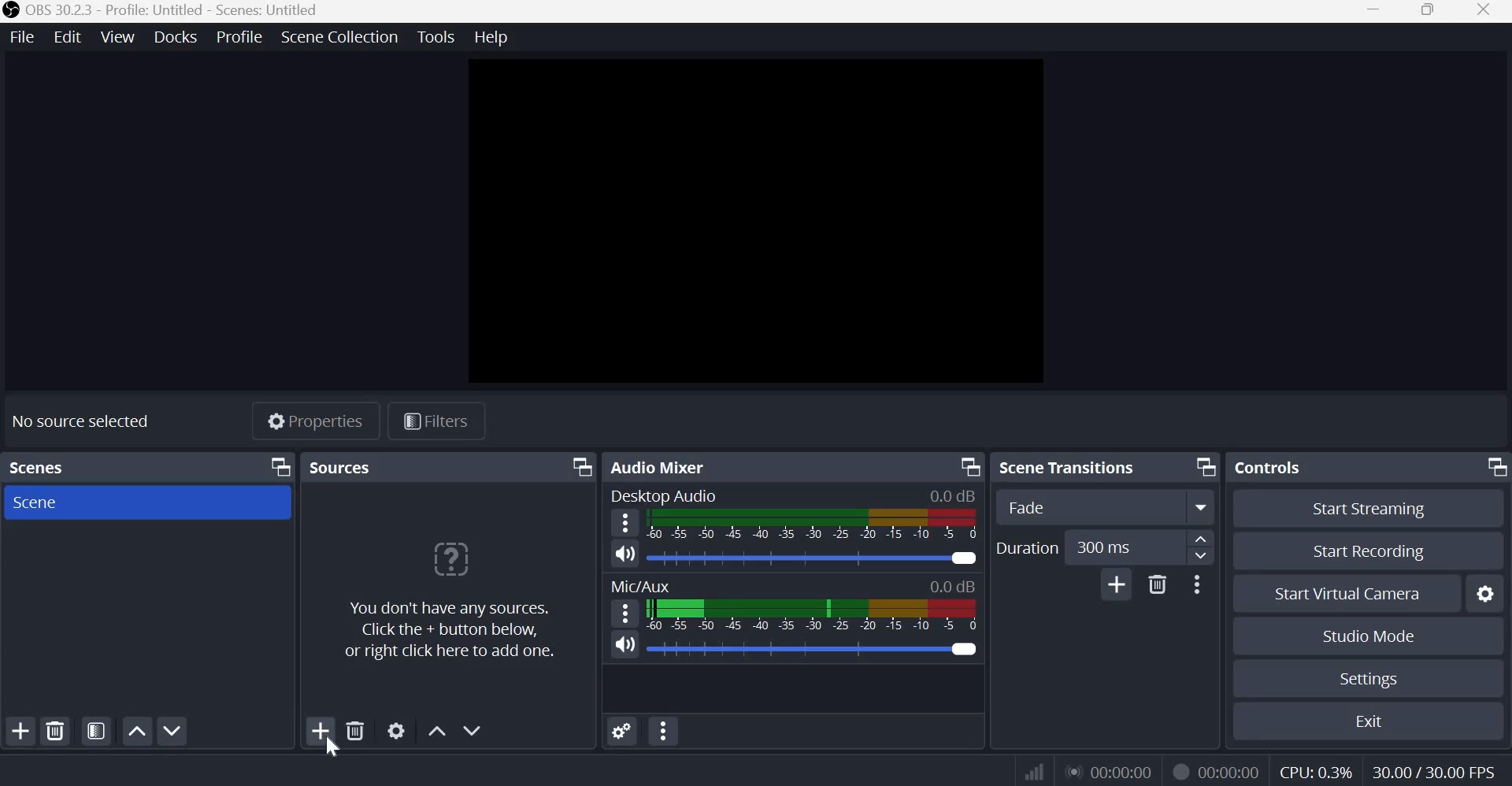 This screenshot has width=1512, height=786. What do you see at coordinates (1140, 548) in the screenshot?
I see `Duration Input` at bounding box center [1140, 548].